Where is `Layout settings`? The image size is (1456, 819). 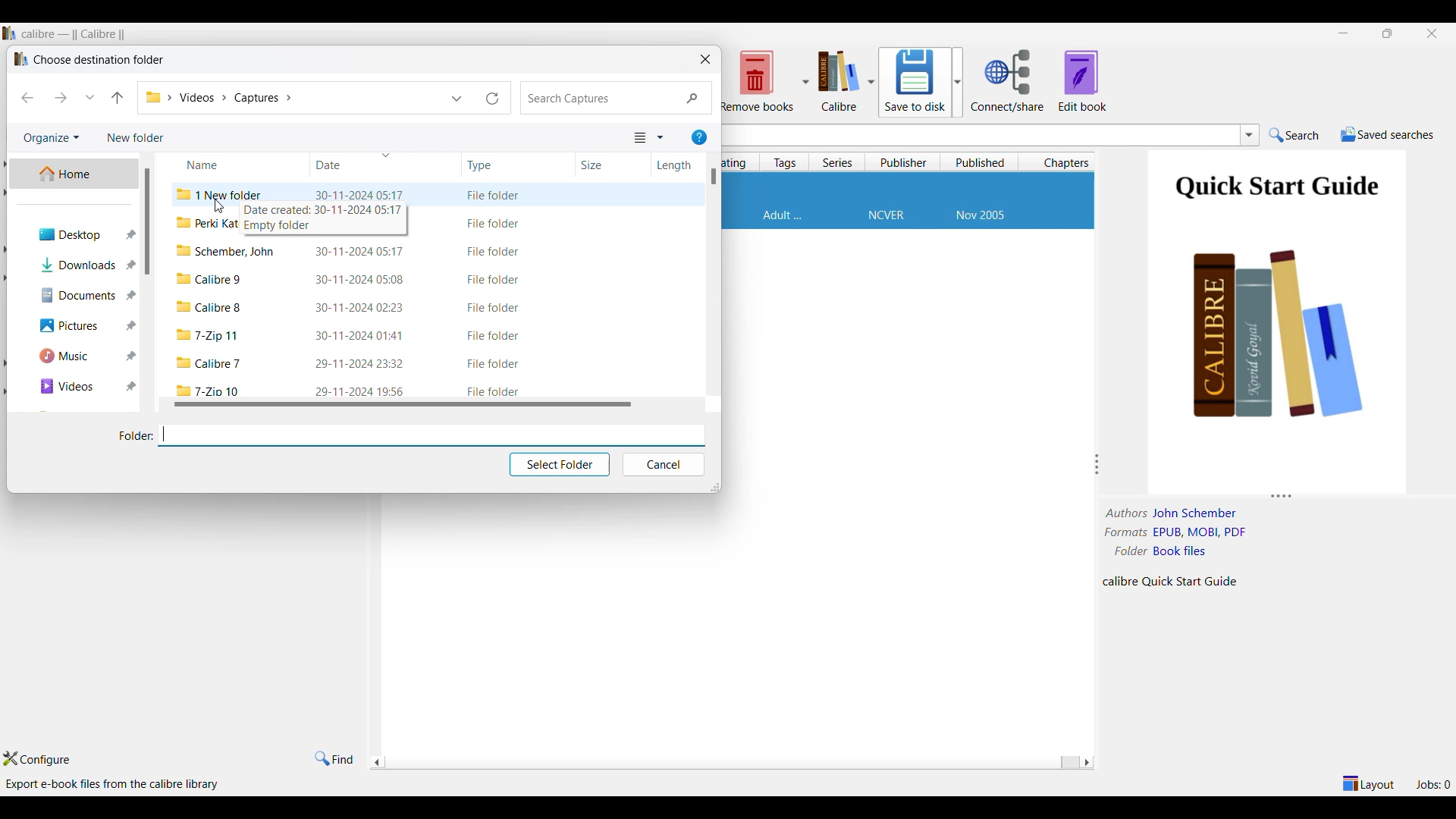 Layout settings is located at coordinates (1369, 783).